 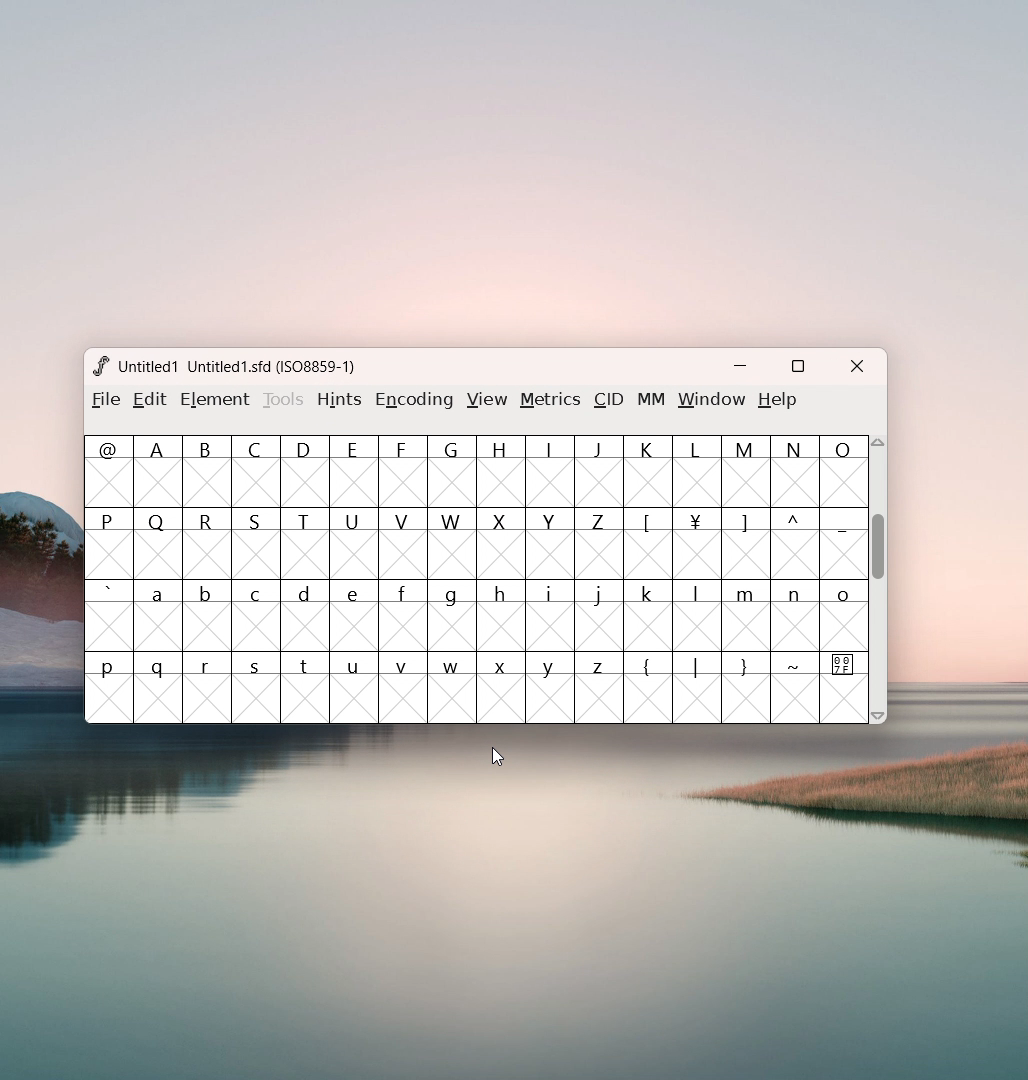 I want to click on g, so click(x=453, y=617).